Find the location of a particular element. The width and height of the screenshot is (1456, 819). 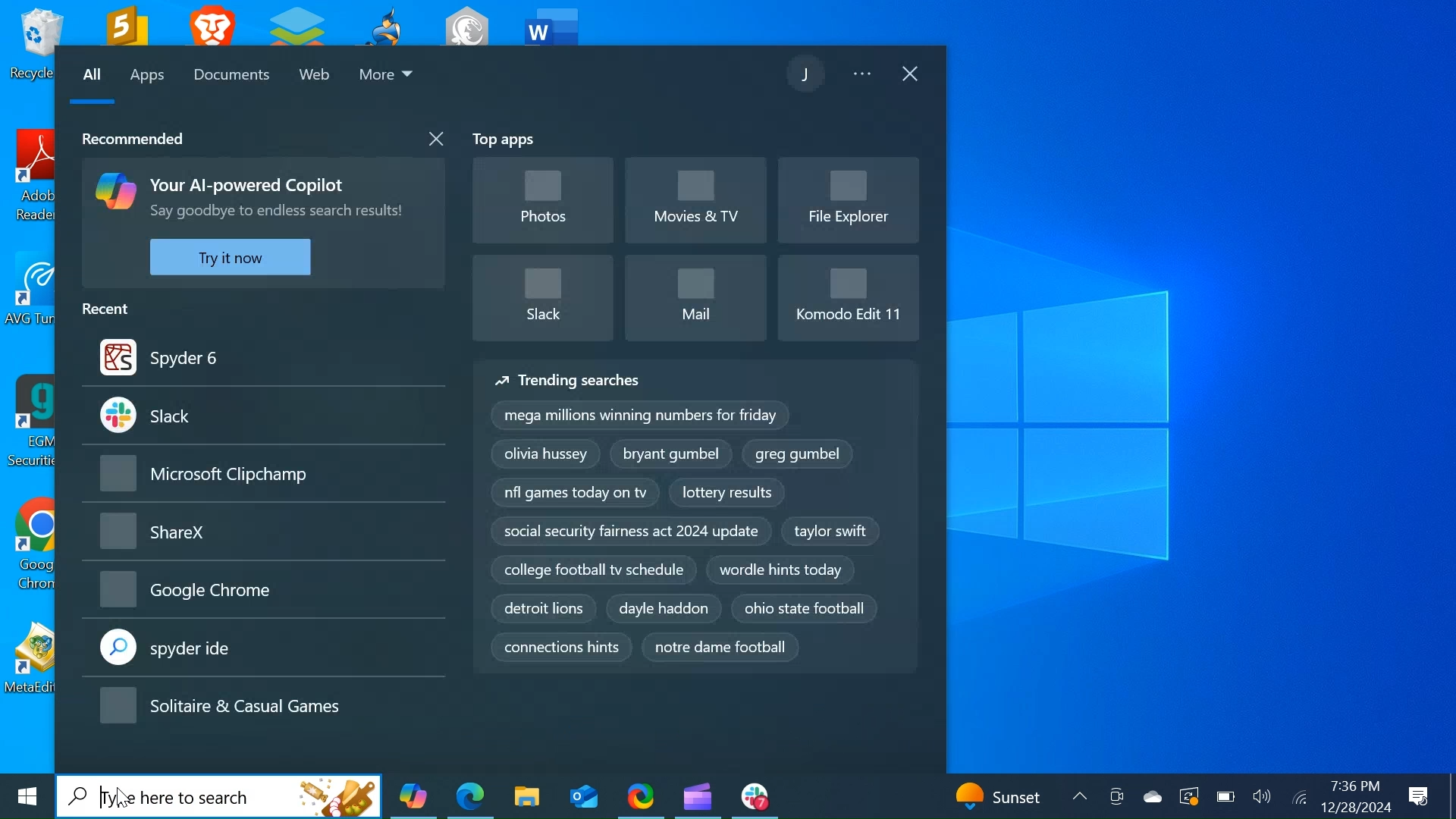

Microsoft Edge is located at coordinates (470, 795).